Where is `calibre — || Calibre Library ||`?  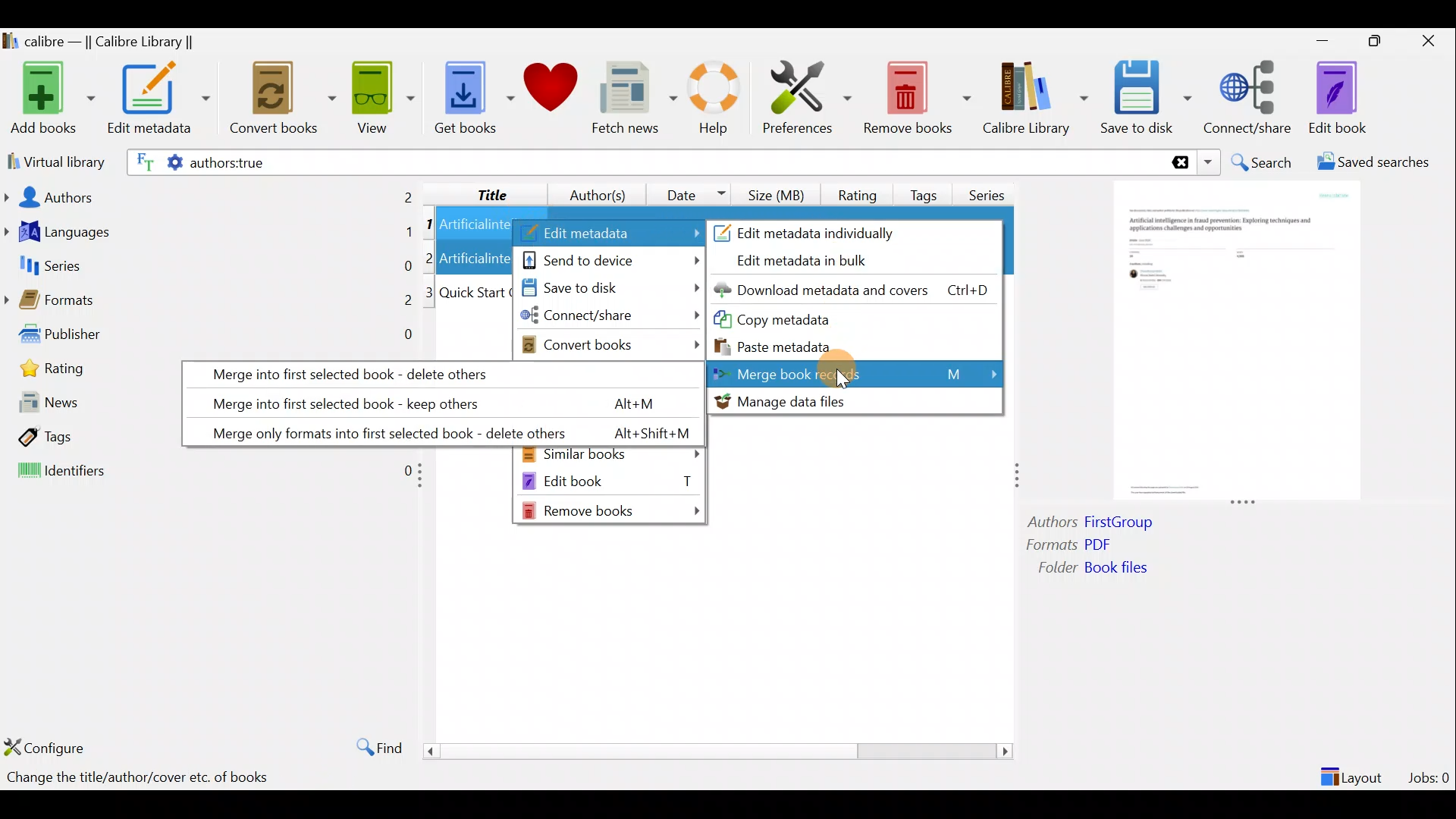
calibre — || Calibre Library || is located at coordinates (101, 42).